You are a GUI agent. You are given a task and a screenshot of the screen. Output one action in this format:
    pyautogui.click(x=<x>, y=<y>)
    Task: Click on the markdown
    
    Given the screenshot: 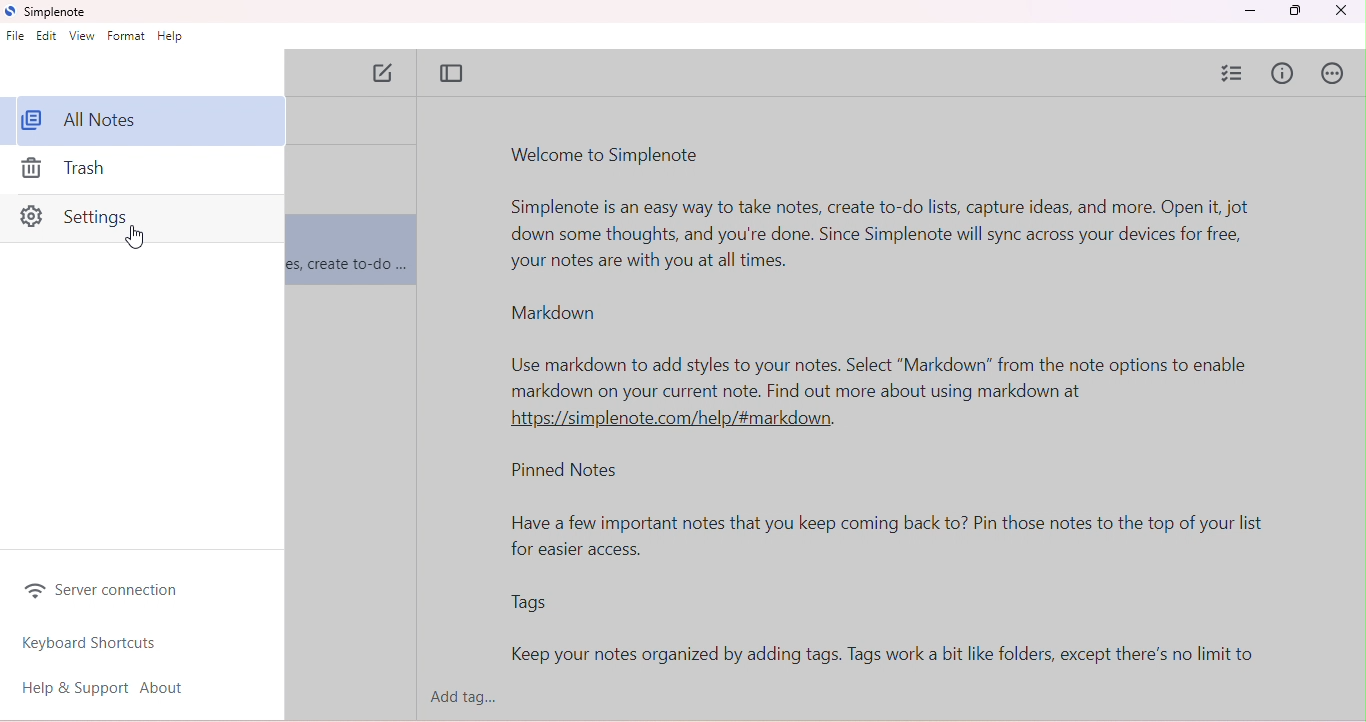 What is the action you would take?
    pyautogui.click(x=552, y=312)
    